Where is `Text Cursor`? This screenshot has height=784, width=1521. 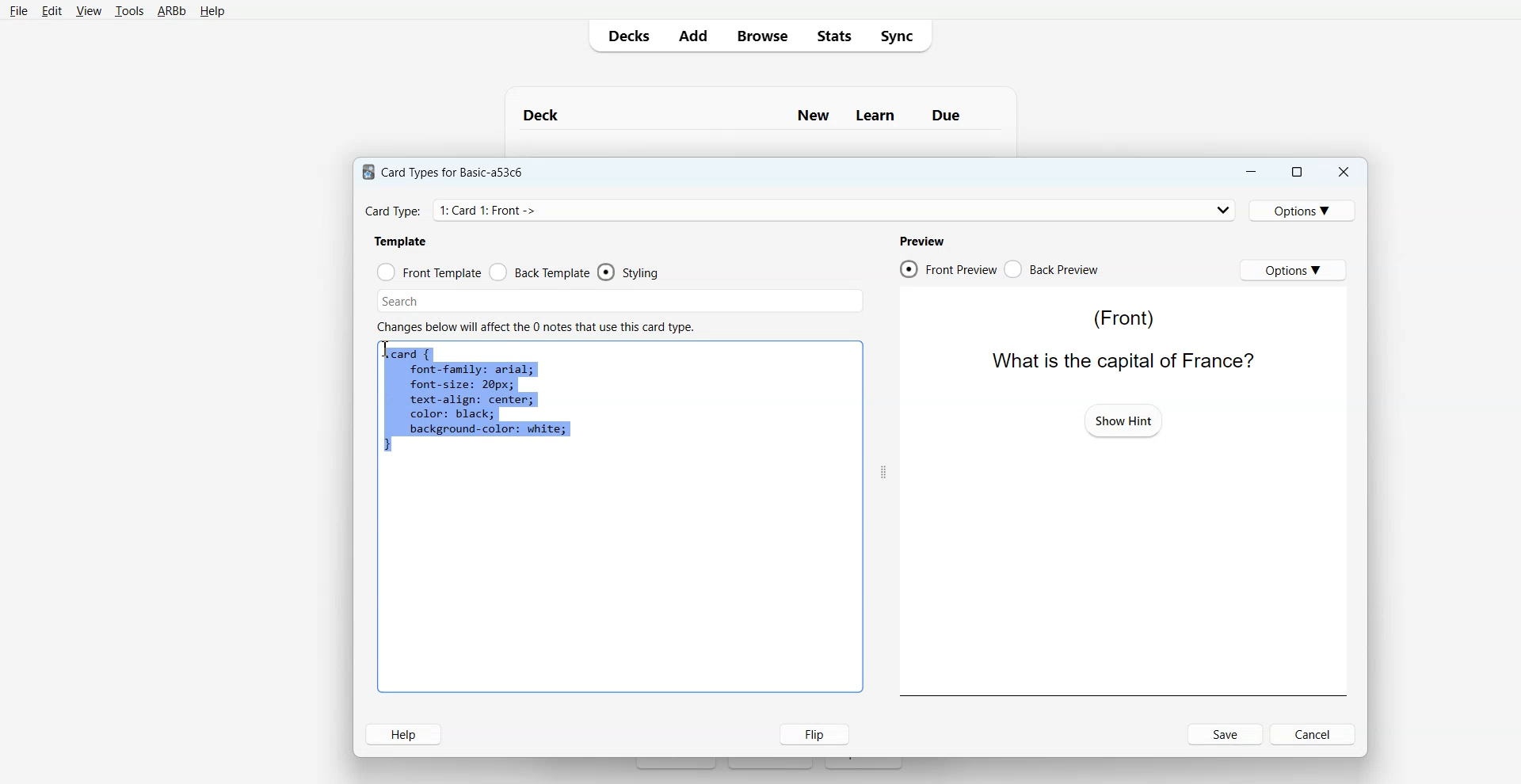 Text Cursor is located at coordinates (388, 351).